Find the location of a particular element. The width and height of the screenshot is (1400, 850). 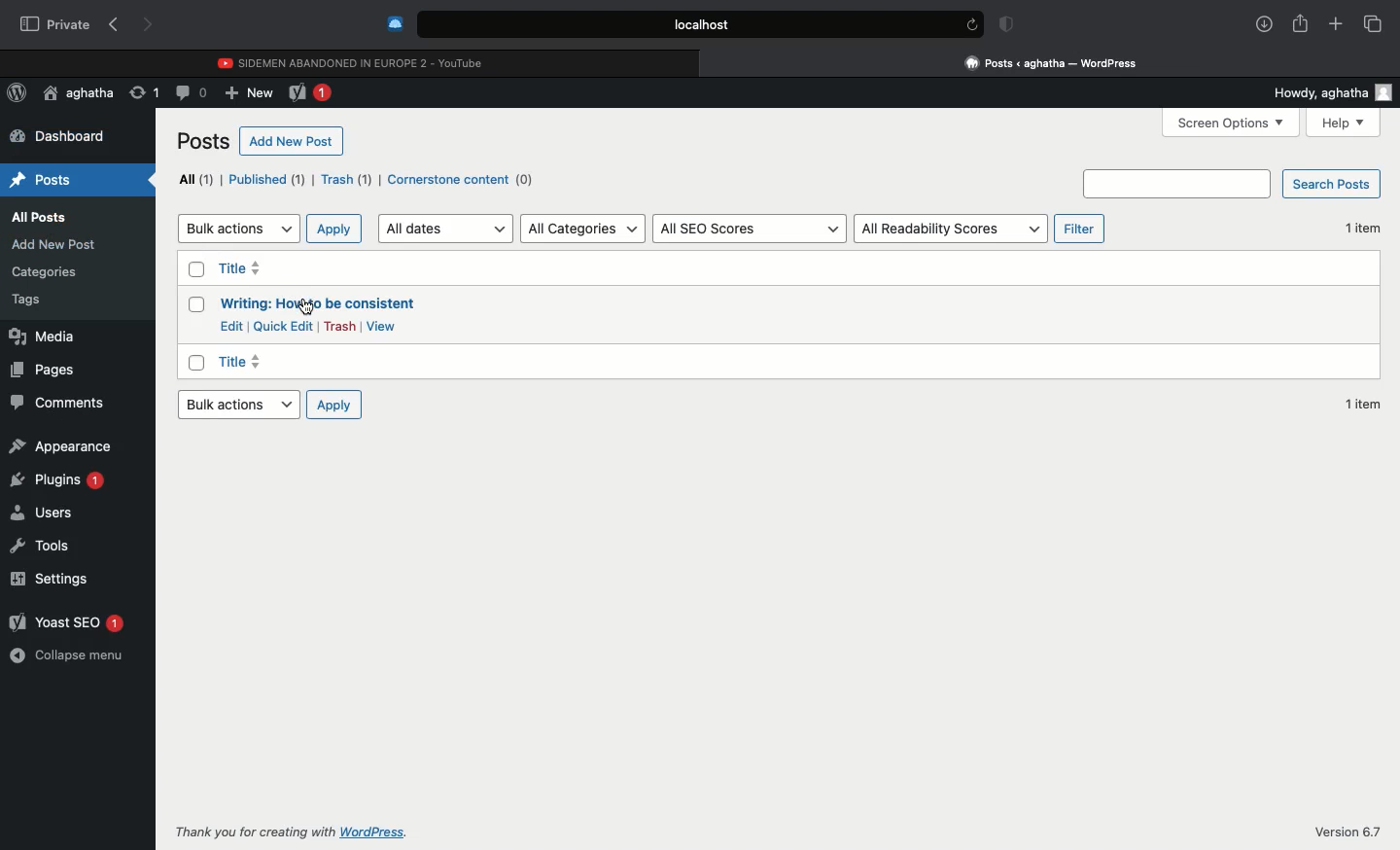

cursor is located at coordinates (305, 306).